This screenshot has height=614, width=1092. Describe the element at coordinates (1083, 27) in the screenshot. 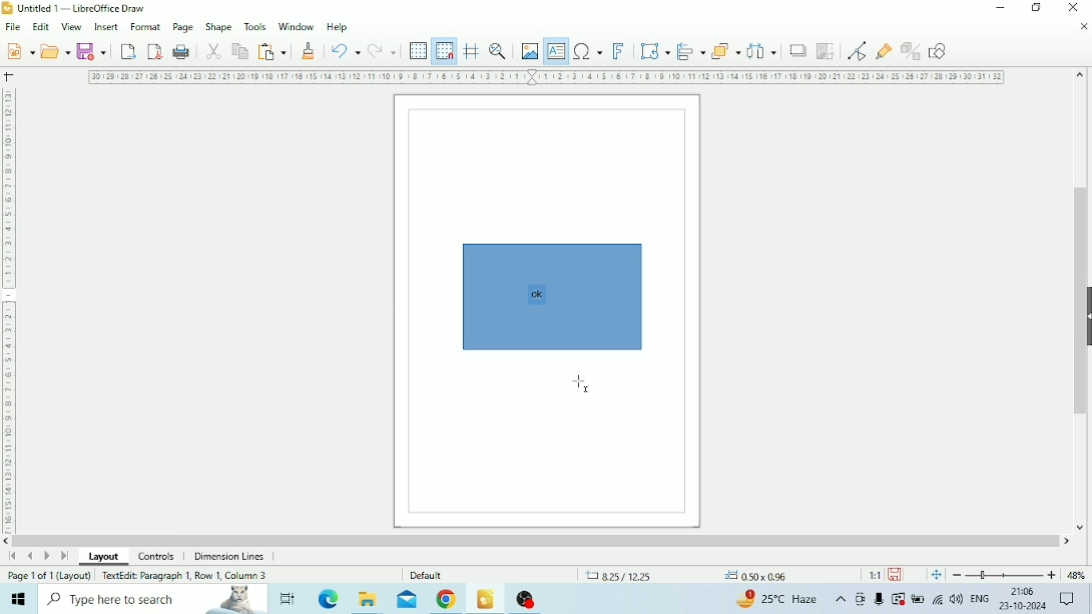

I see `Close Document` at that location.